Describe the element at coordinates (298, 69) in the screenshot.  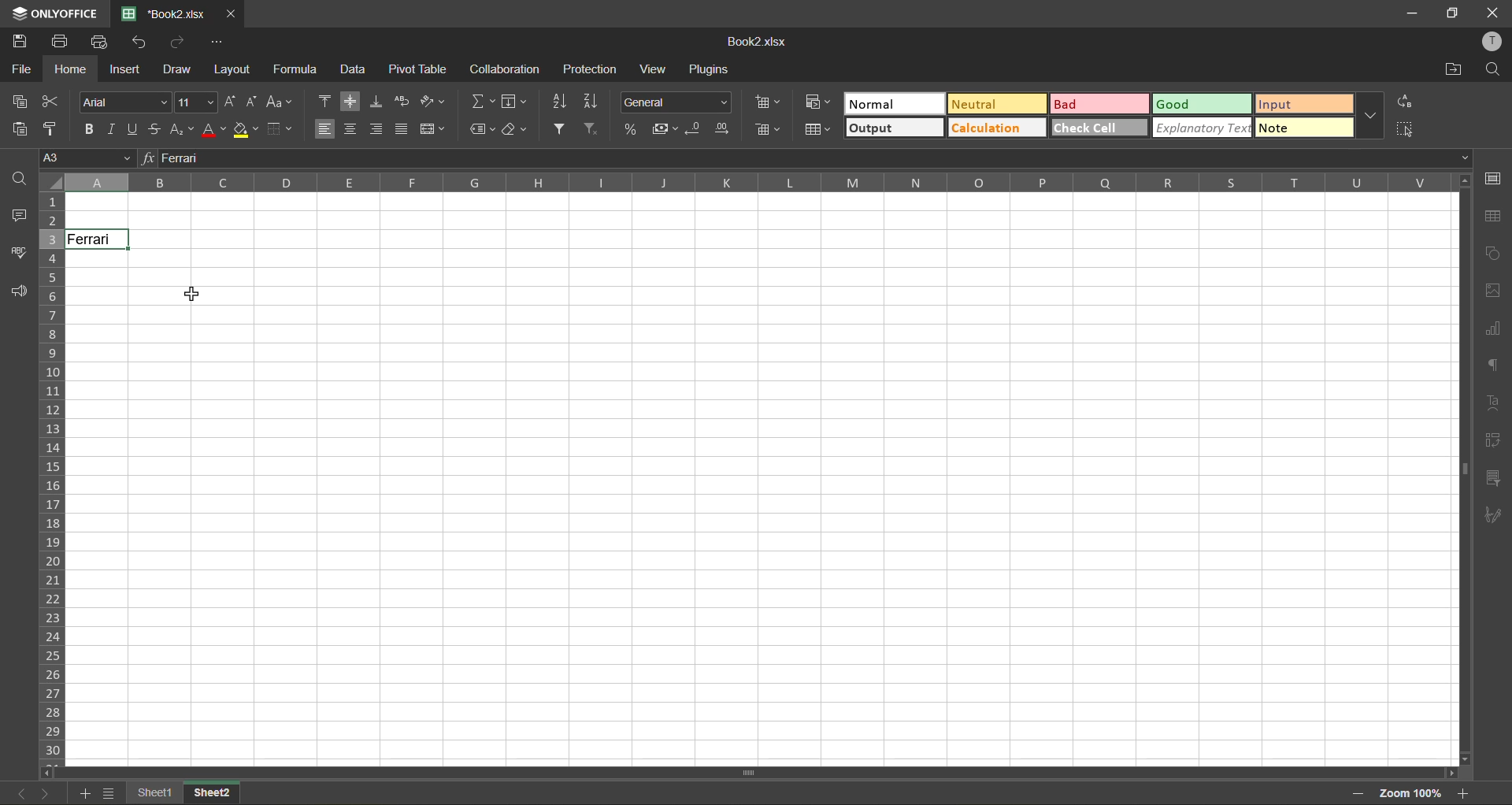
I see `formula` at that location.